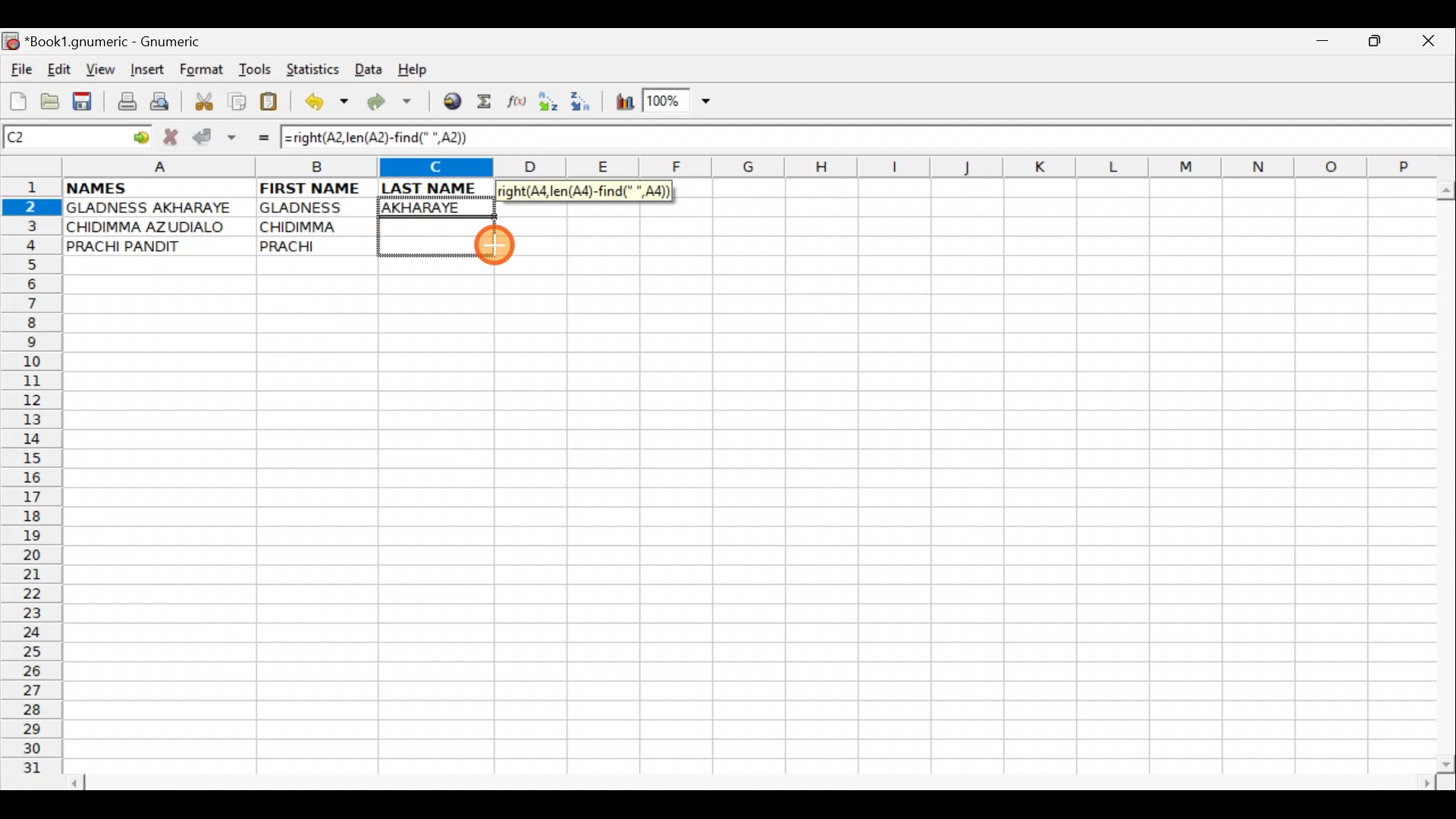 Image resolution: width=1456 pixels, height=819 pixels. Describe the element at coordinates (584, 191) in the screenshot. I see `=right(A2, len(A2)-find(" ",A2))` at that location.